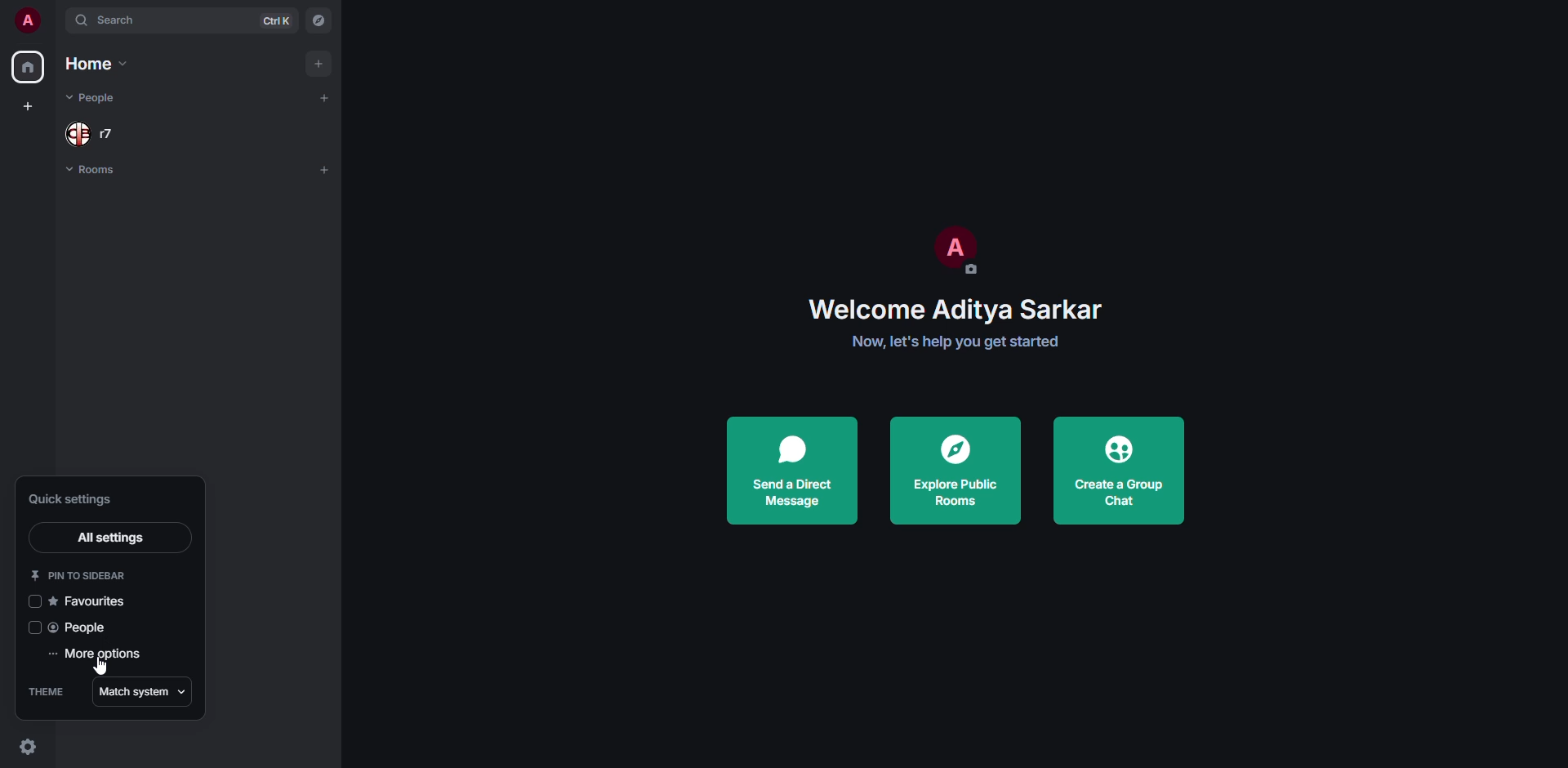 The image size is (1568, 768). I want to click on ctrl K, so click(276, 19).